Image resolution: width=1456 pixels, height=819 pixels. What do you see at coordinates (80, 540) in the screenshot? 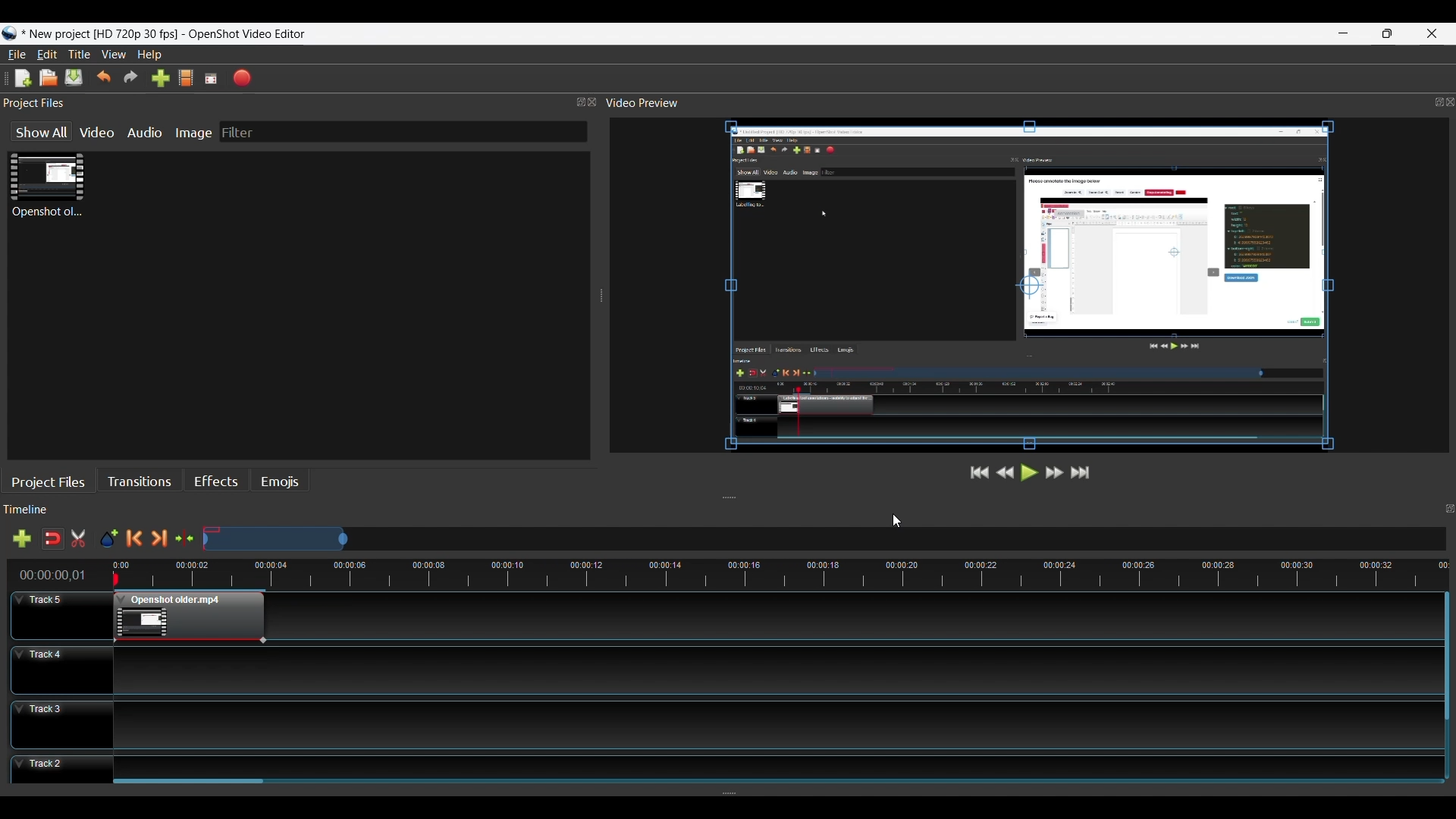
I see `Razor` at bounding box center [80, 540].